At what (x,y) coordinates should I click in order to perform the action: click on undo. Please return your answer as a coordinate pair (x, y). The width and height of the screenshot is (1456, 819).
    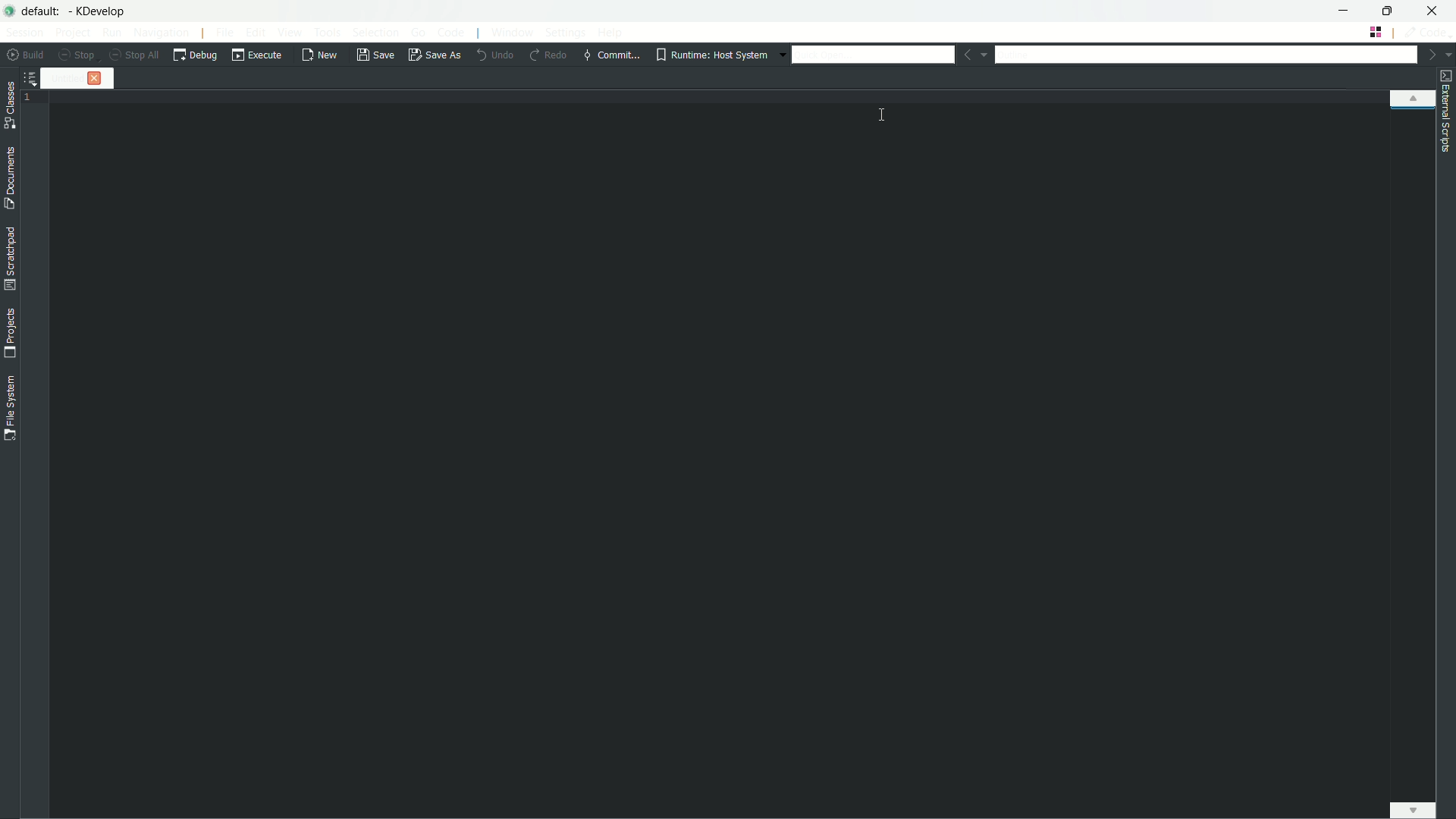
    Looking at the image, I should click on (493, 54).